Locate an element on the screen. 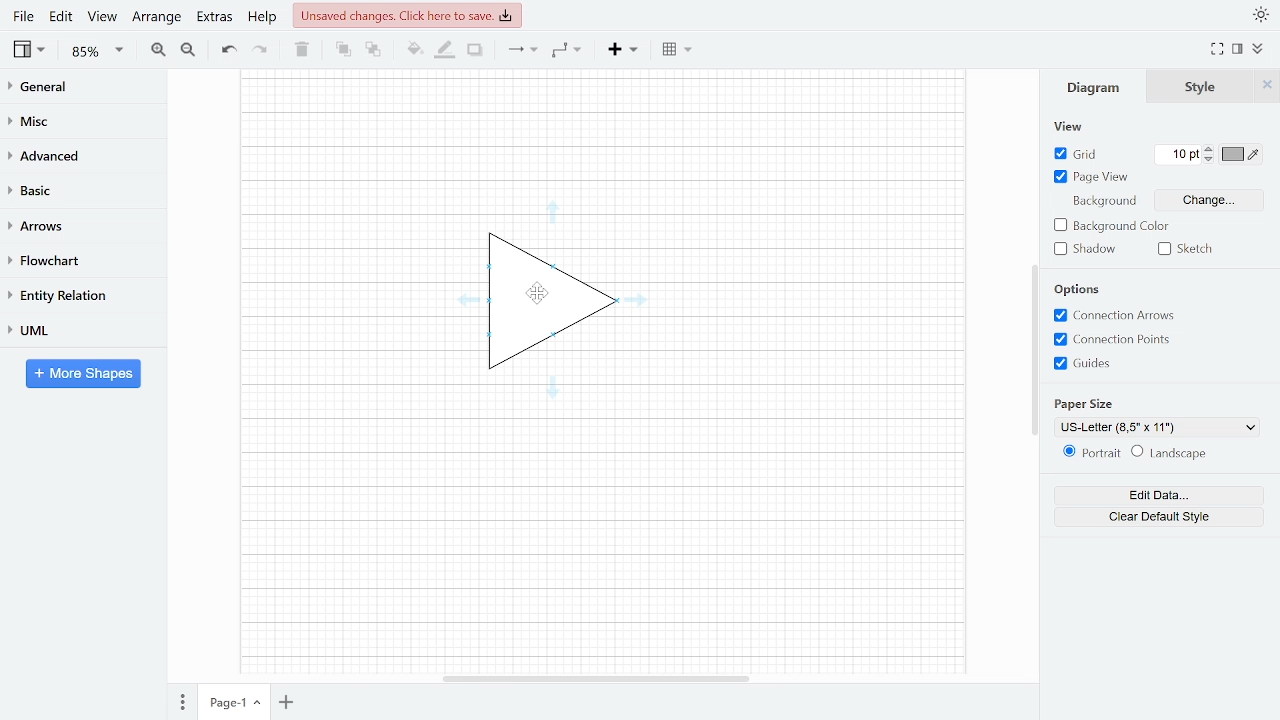 The width and height of the screenshot is (1280, 720). Zoom out is located at coordinates (190, 49).